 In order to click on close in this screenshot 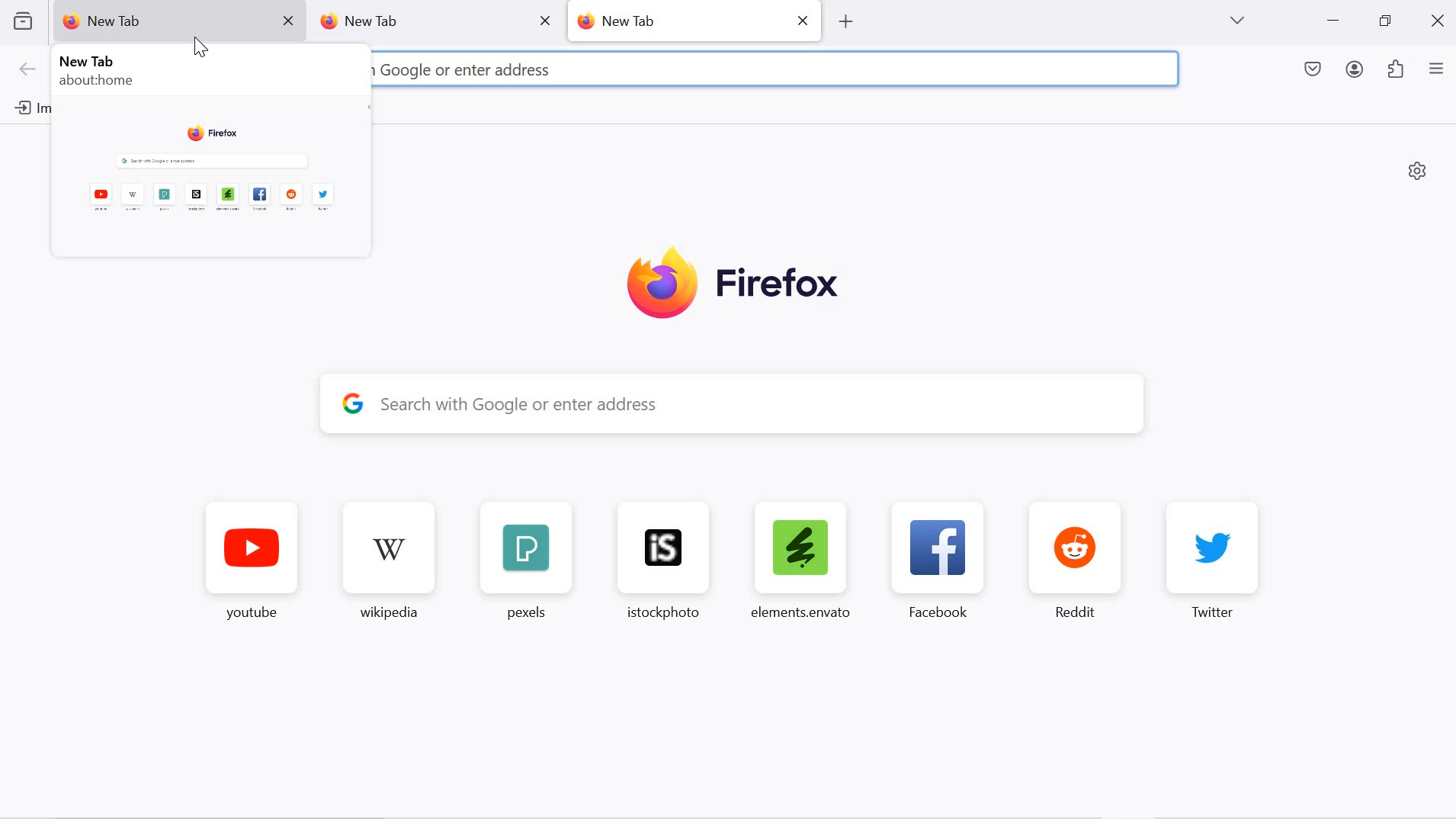, I will do `click(1440, 19)`.